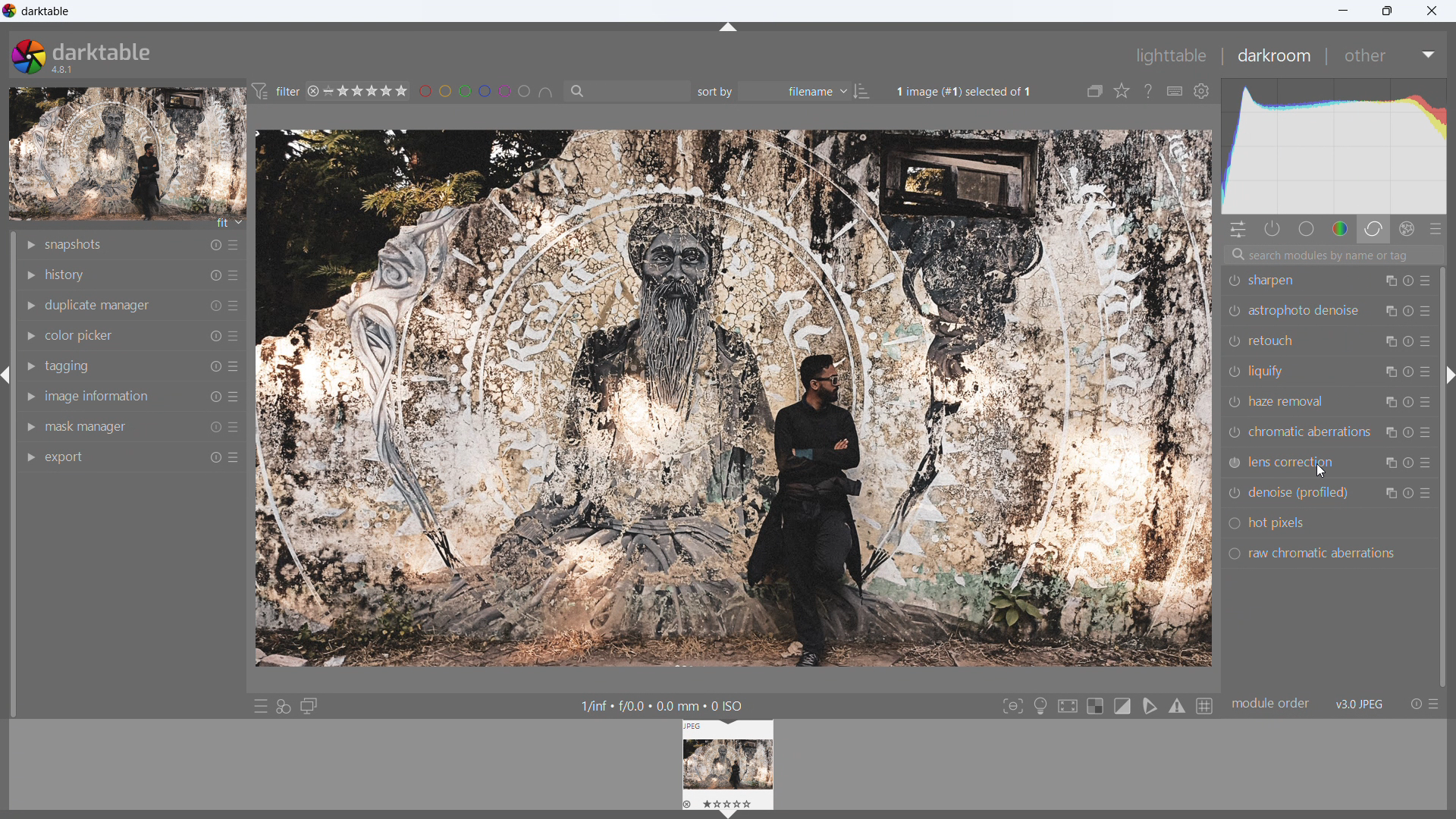  I want to click on mask manager, so click(86, 427).